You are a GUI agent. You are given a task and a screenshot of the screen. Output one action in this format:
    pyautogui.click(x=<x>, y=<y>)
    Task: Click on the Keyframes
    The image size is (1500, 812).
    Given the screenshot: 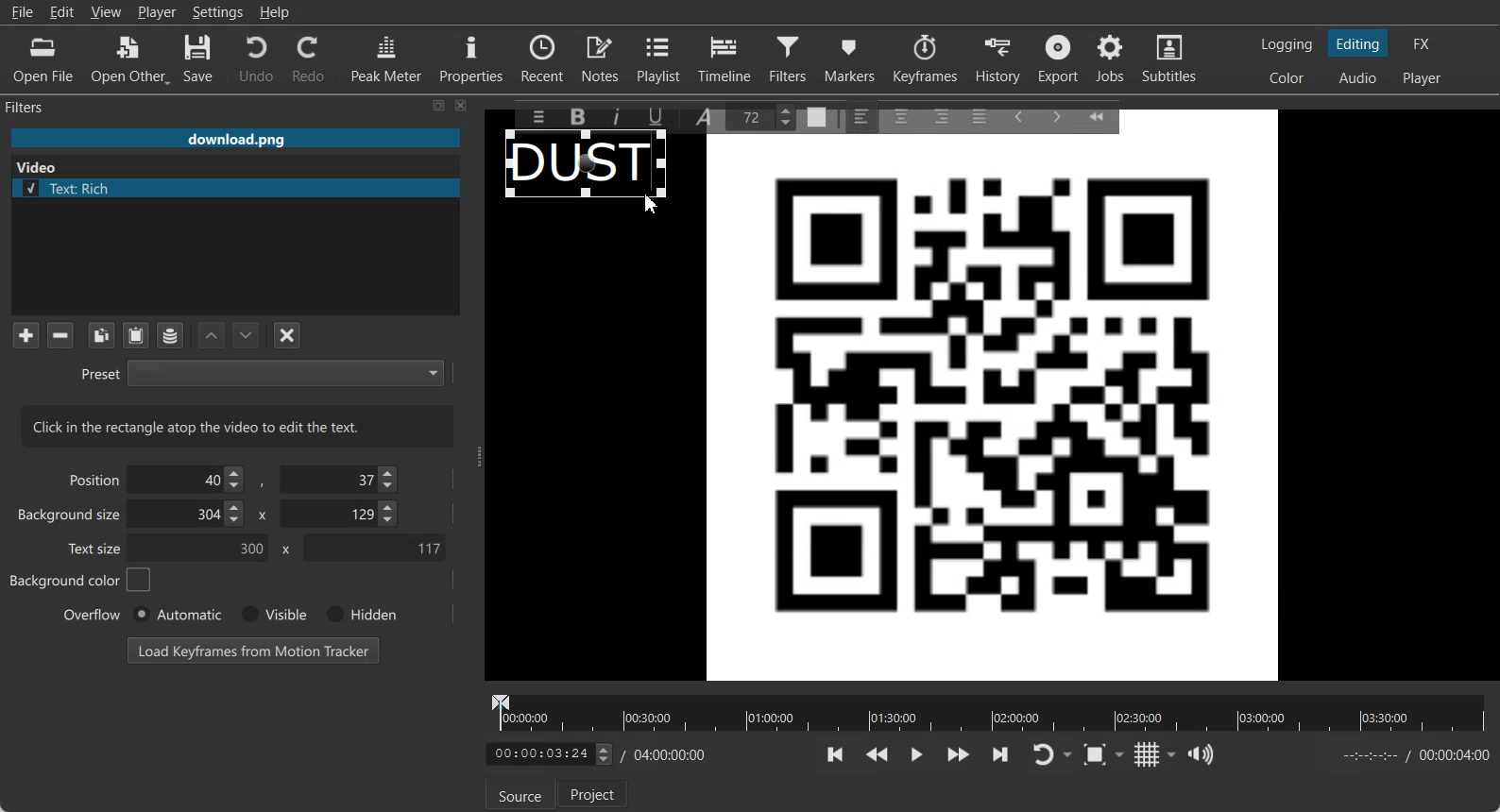 What is the action you would take?
    pyautogui.click(x=925, y=58)
    